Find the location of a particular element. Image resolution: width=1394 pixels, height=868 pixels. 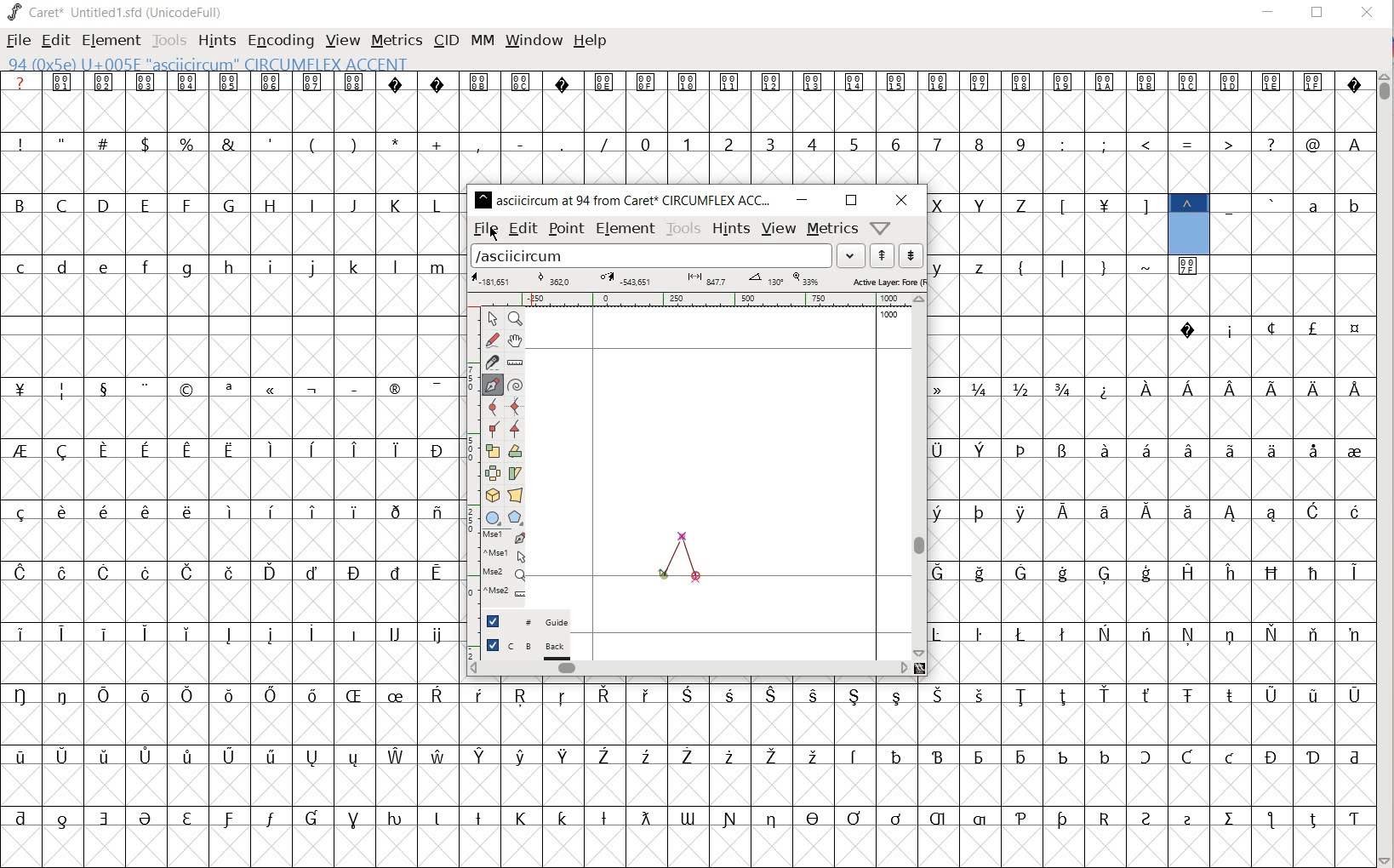

3rd point added is located at coordinates (696, 576).